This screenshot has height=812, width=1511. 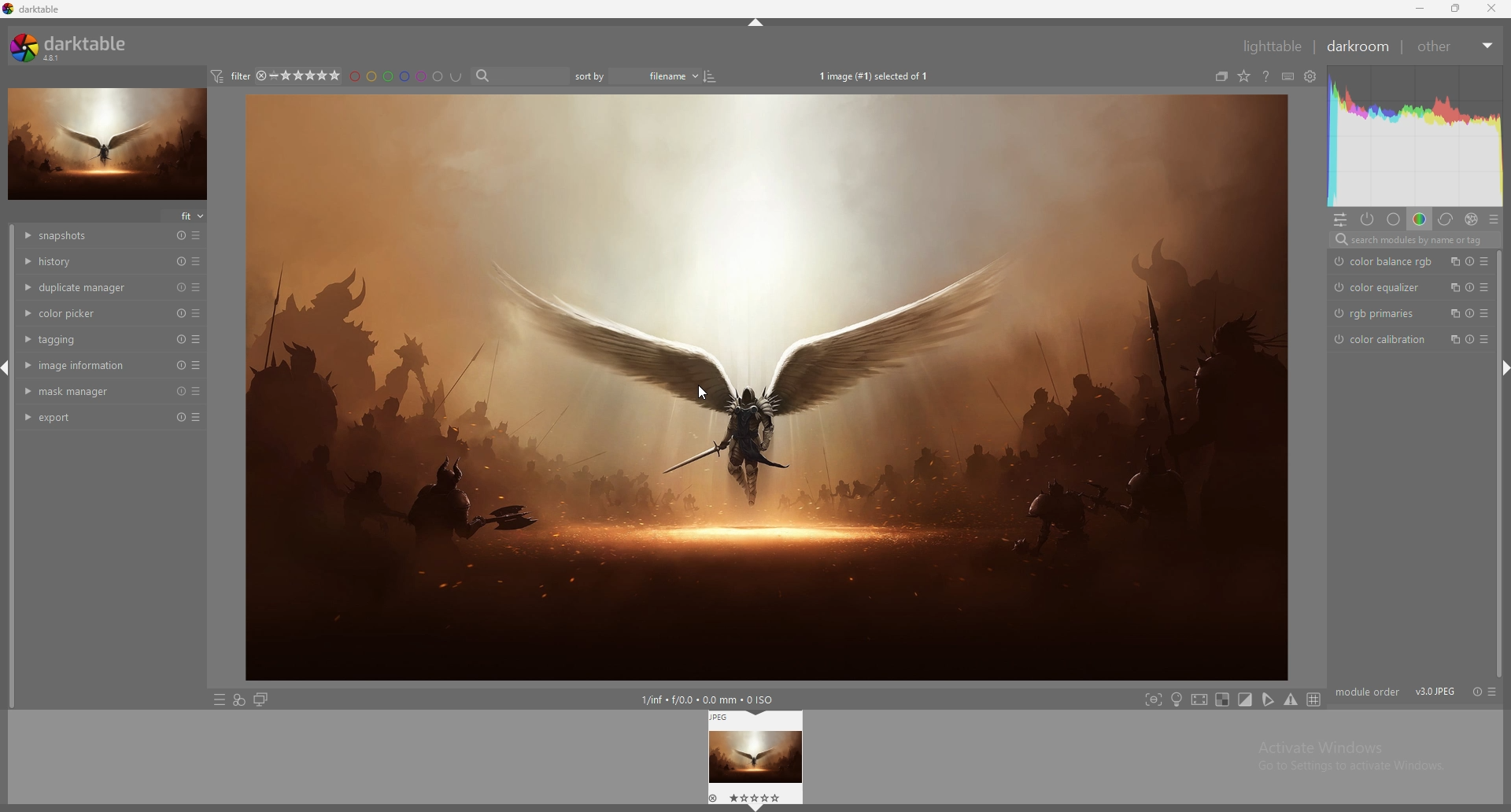 What do you see at coordinates (86, 417) in the screenshot?
I see `export` at bounding box center [86, 417].